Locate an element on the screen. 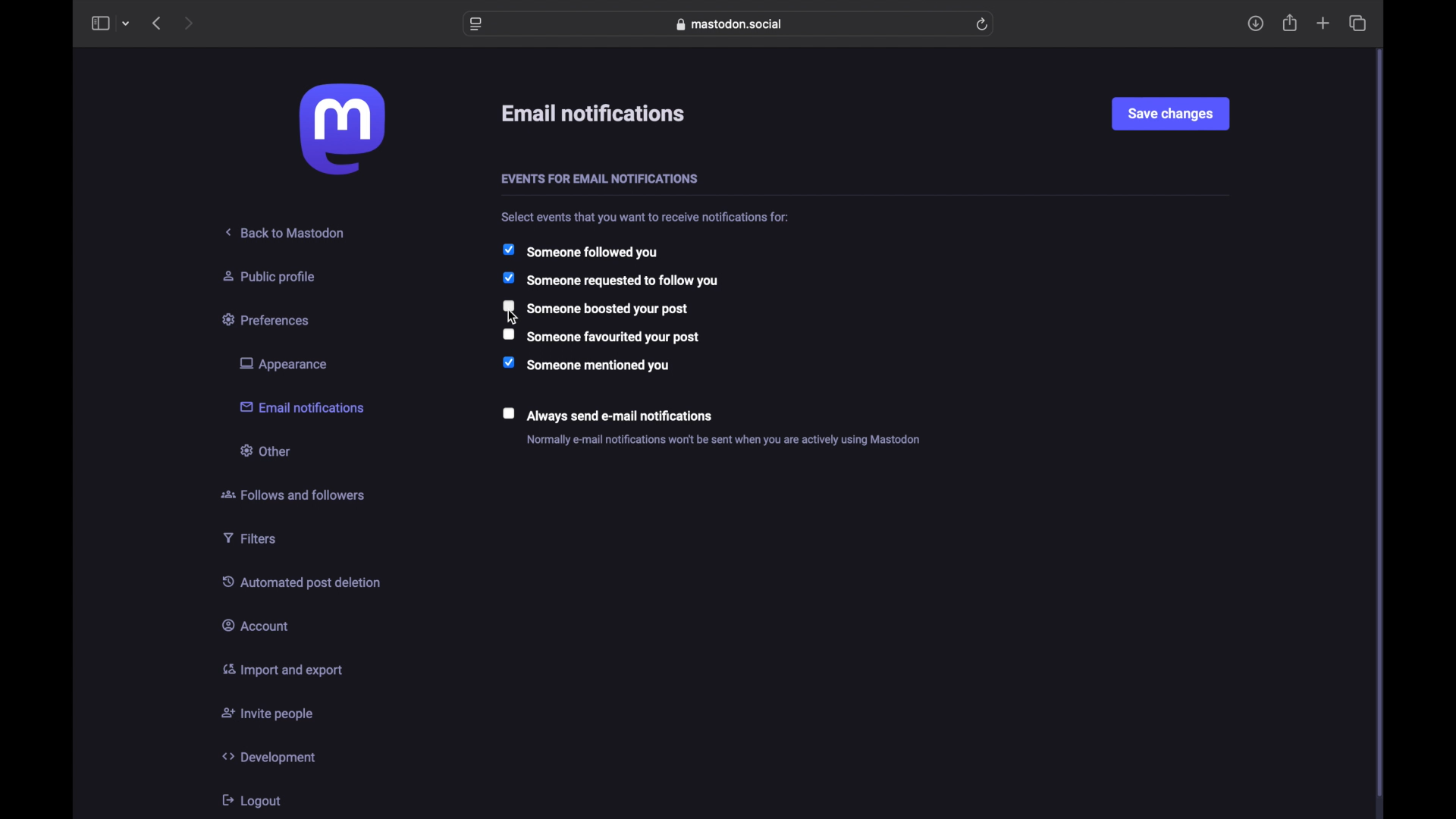 This screenshot has height=819, width=1456. tab group picker is located at coordinates (126, 24).